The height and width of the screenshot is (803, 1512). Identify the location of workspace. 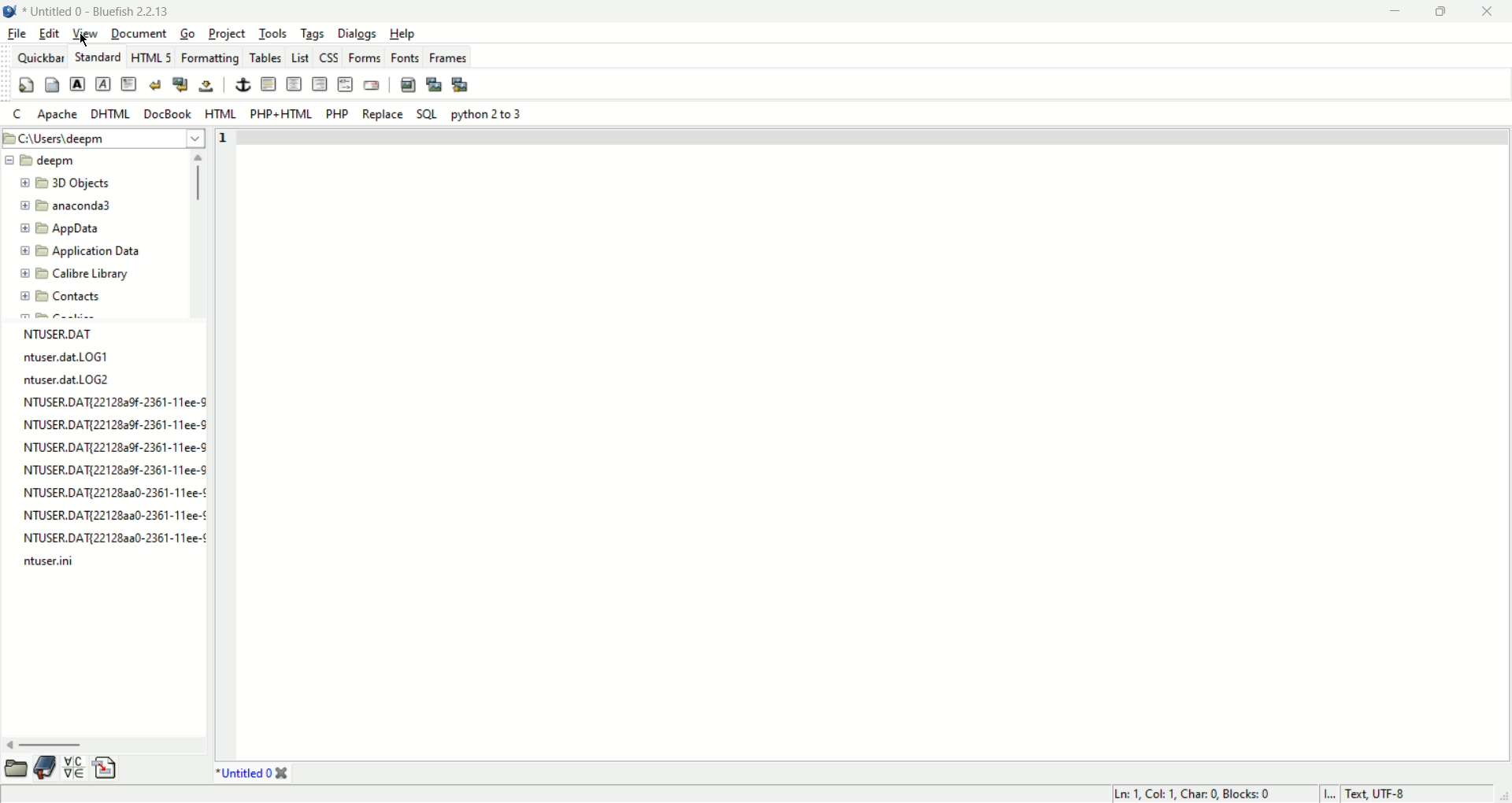
(874, 453).